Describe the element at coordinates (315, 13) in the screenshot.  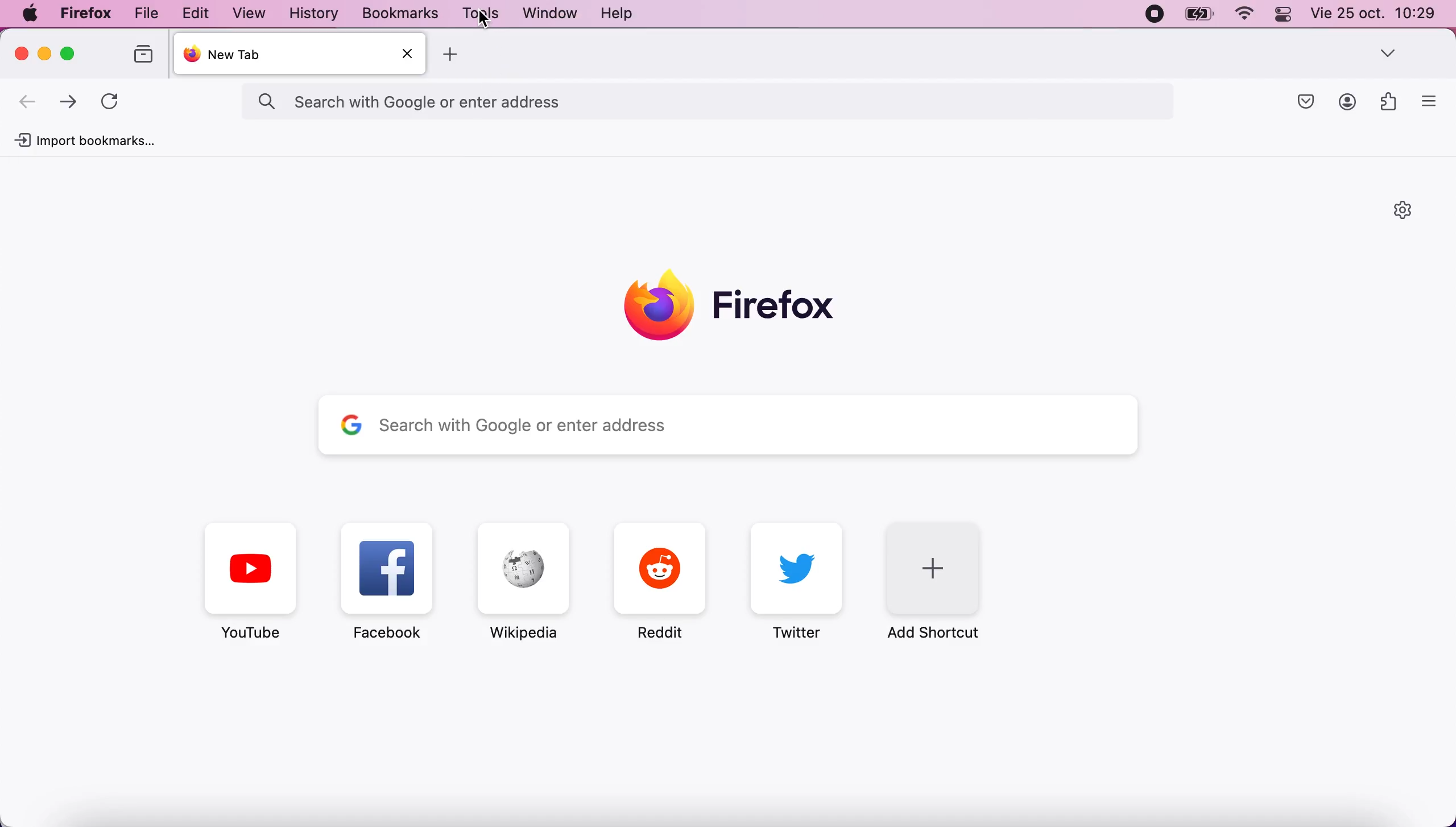
I see `History` at that location.